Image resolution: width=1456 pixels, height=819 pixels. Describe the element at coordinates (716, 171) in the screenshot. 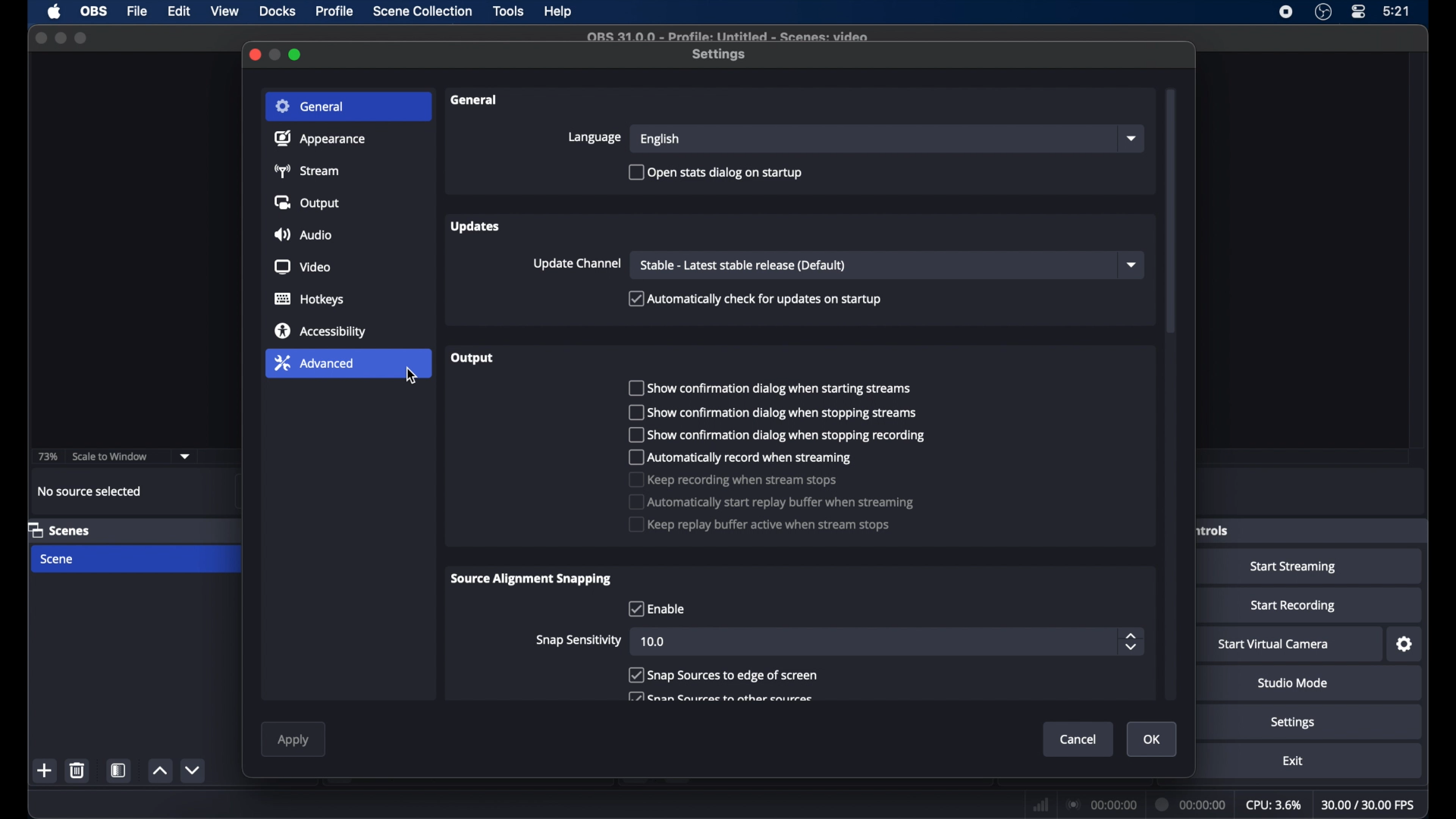

I see `open stats dialog on start up` at that location.